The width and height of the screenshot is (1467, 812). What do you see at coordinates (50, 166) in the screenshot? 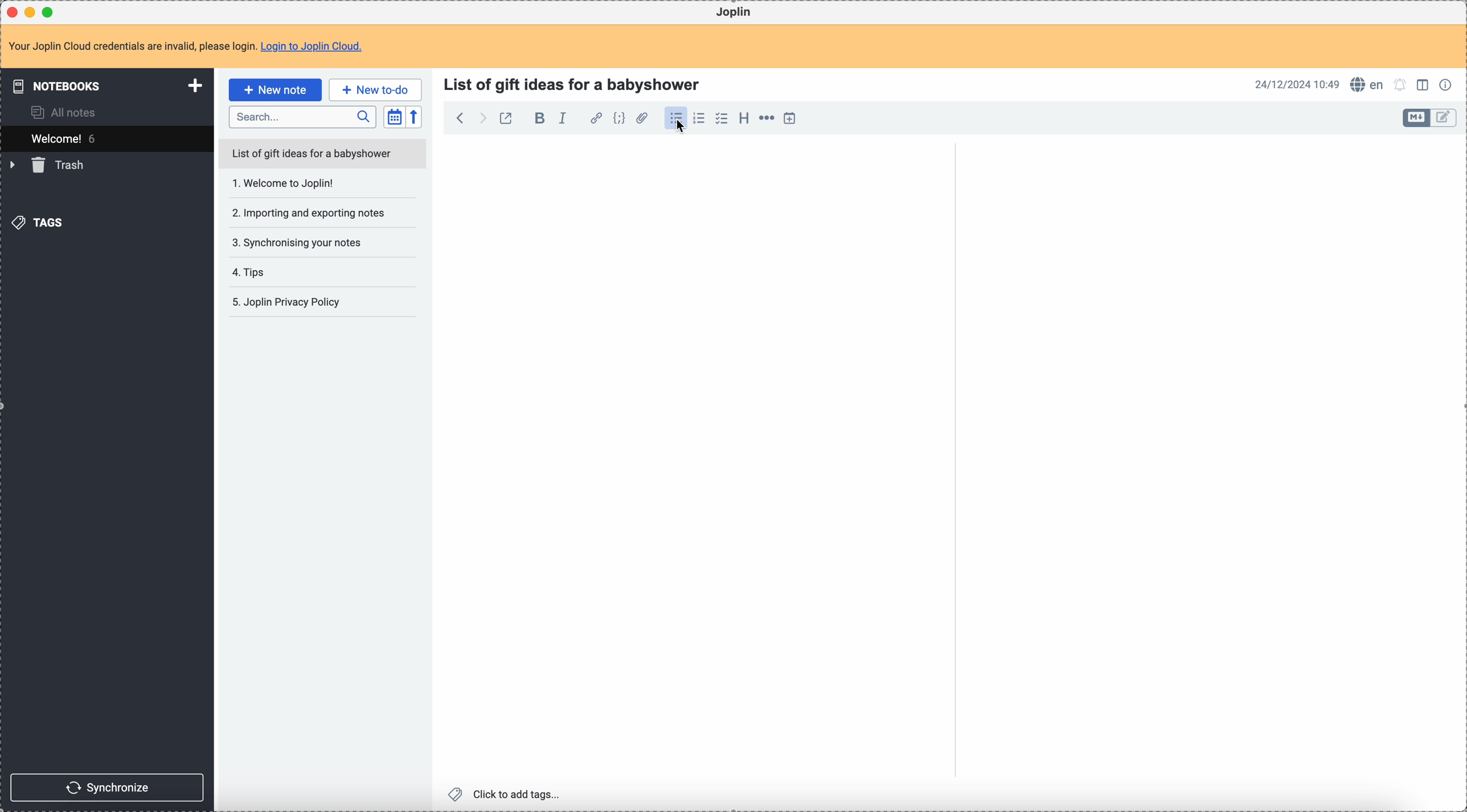
I see `trash` at bounding box center [50, 166].